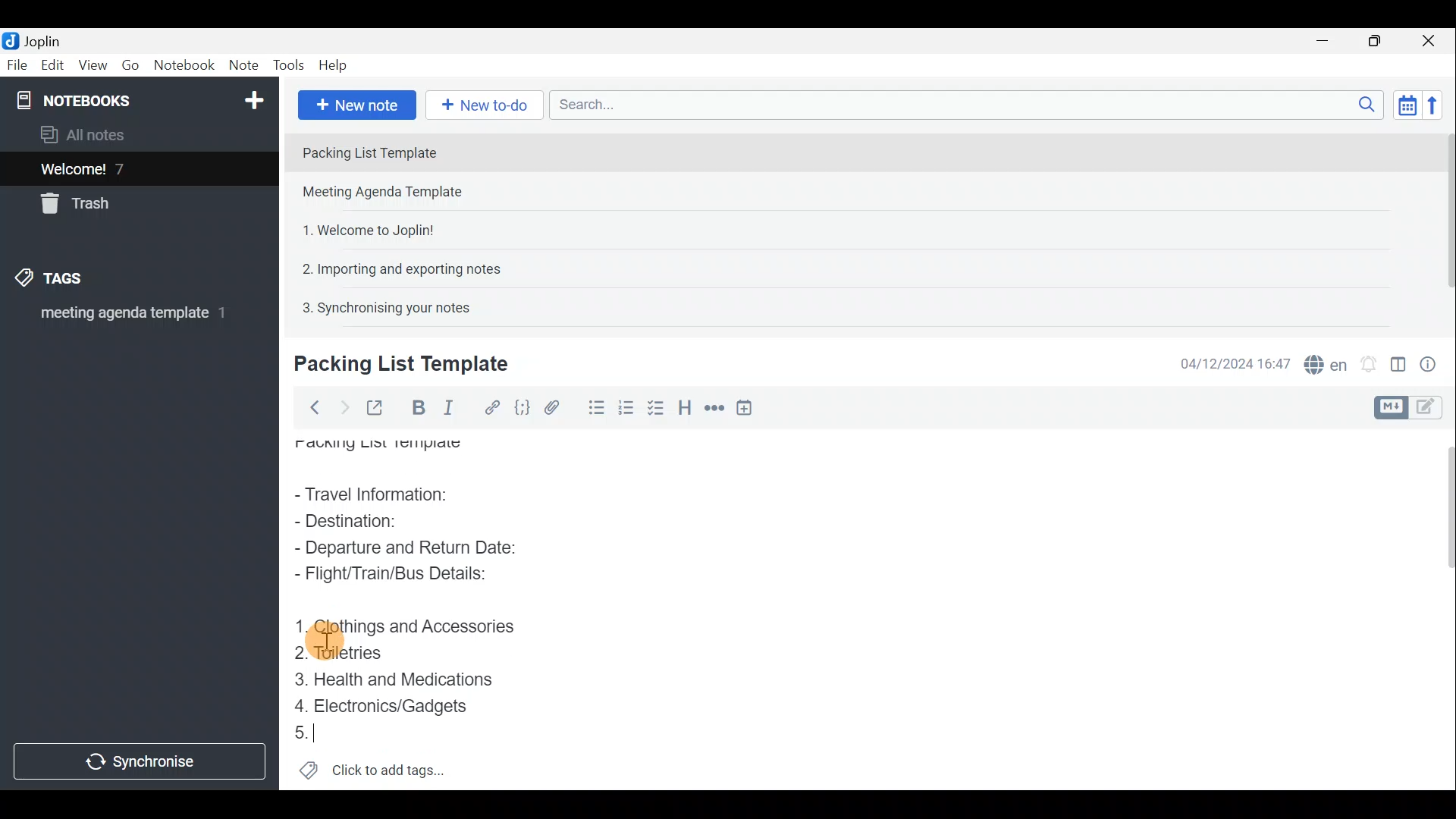 The image size is (1456, 819). I want to click on Checkbox, so click(626, 405).